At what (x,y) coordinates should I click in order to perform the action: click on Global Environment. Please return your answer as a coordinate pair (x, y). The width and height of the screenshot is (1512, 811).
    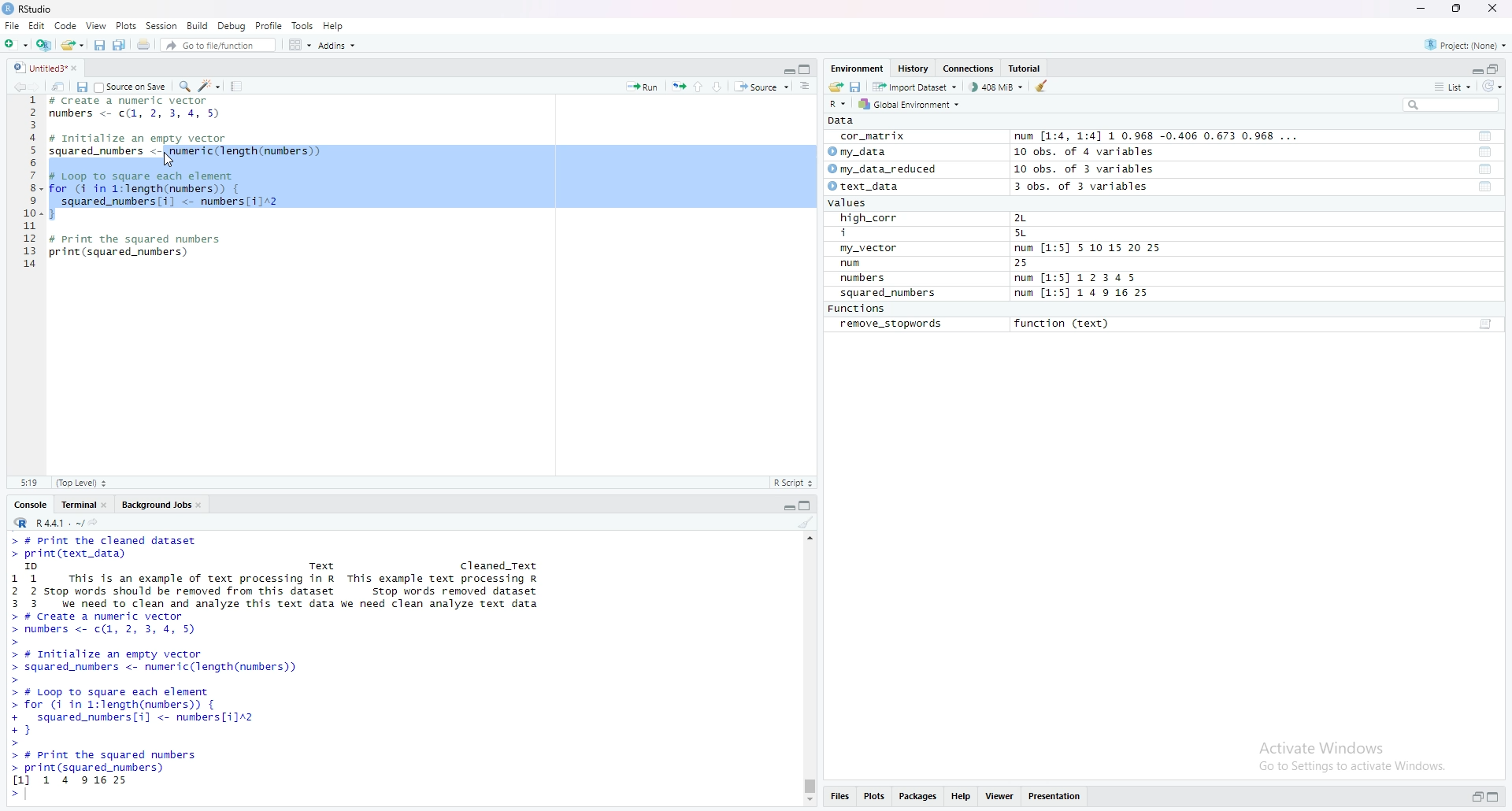
    Looking at the image, I should click on (910, 104).